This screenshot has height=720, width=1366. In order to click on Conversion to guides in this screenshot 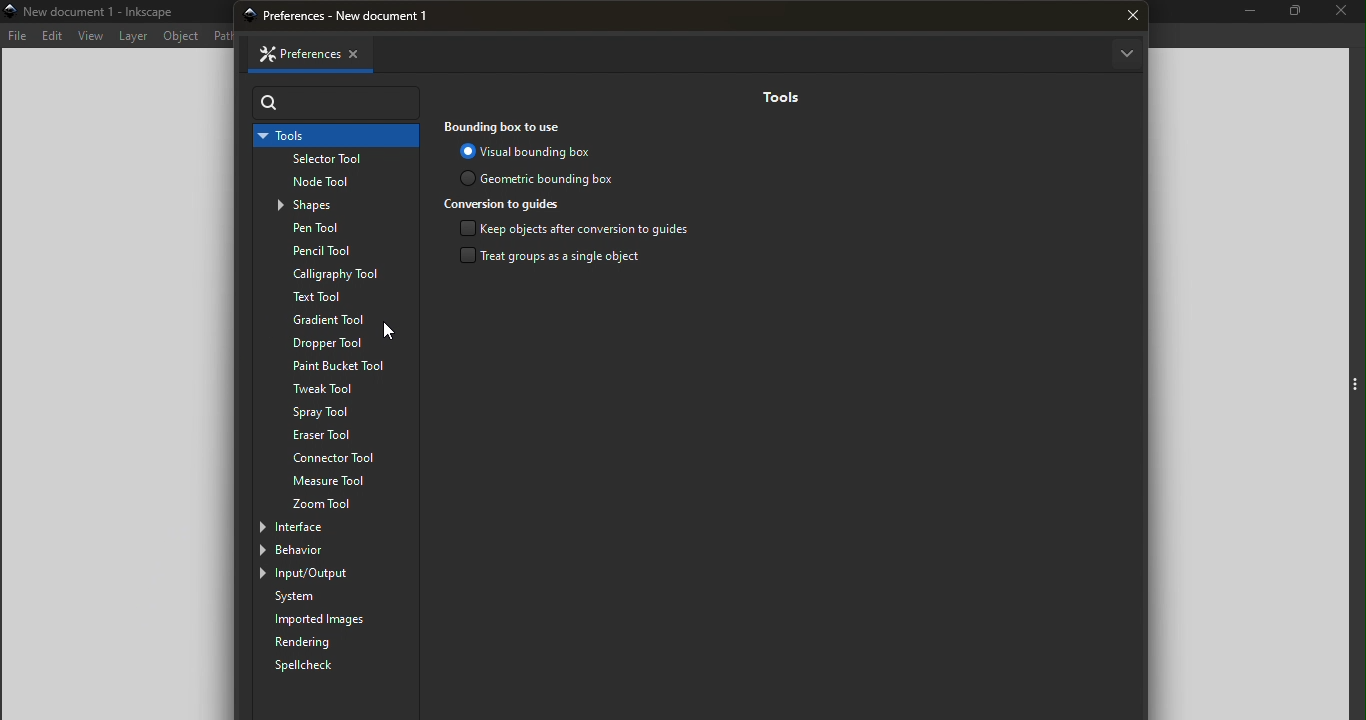, I will do `click(507, 204)`.